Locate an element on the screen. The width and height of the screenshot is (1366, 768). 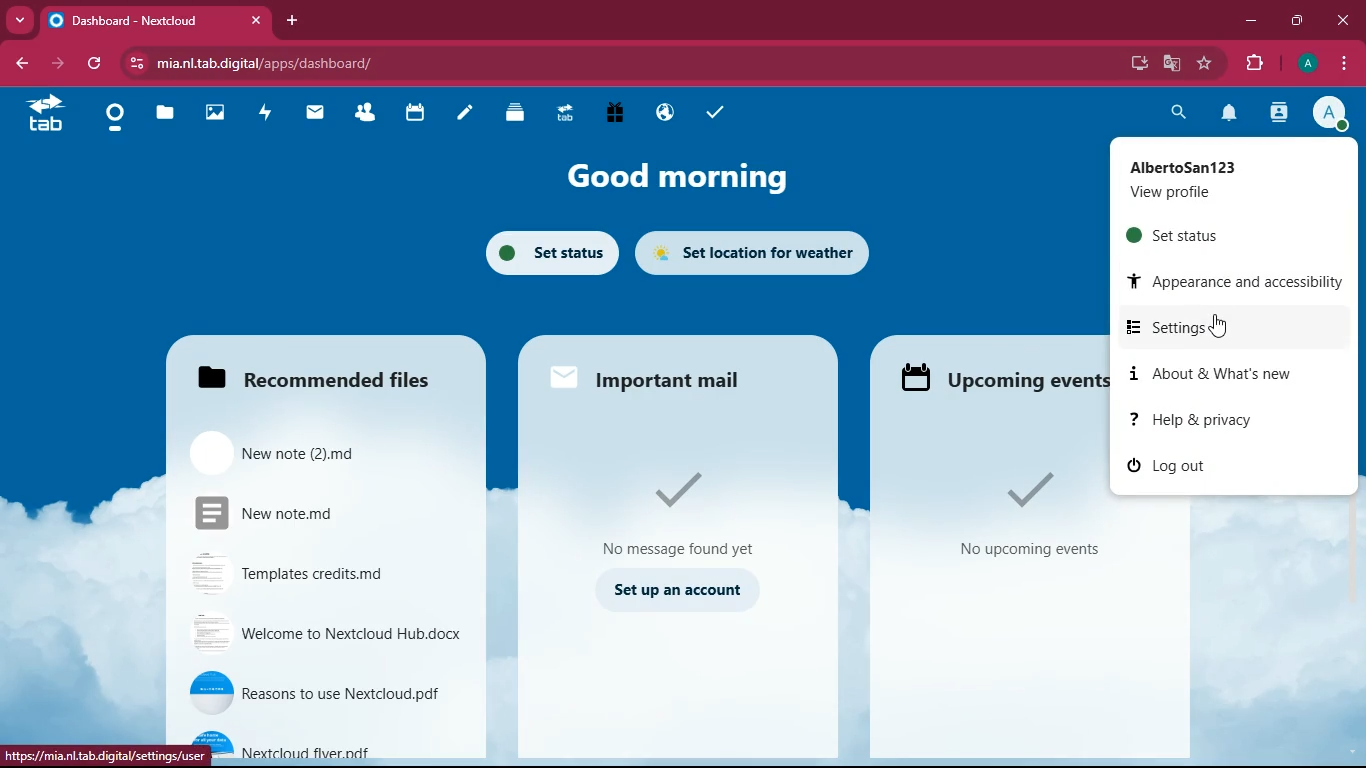
set status is located at coordinates (1230, 238).